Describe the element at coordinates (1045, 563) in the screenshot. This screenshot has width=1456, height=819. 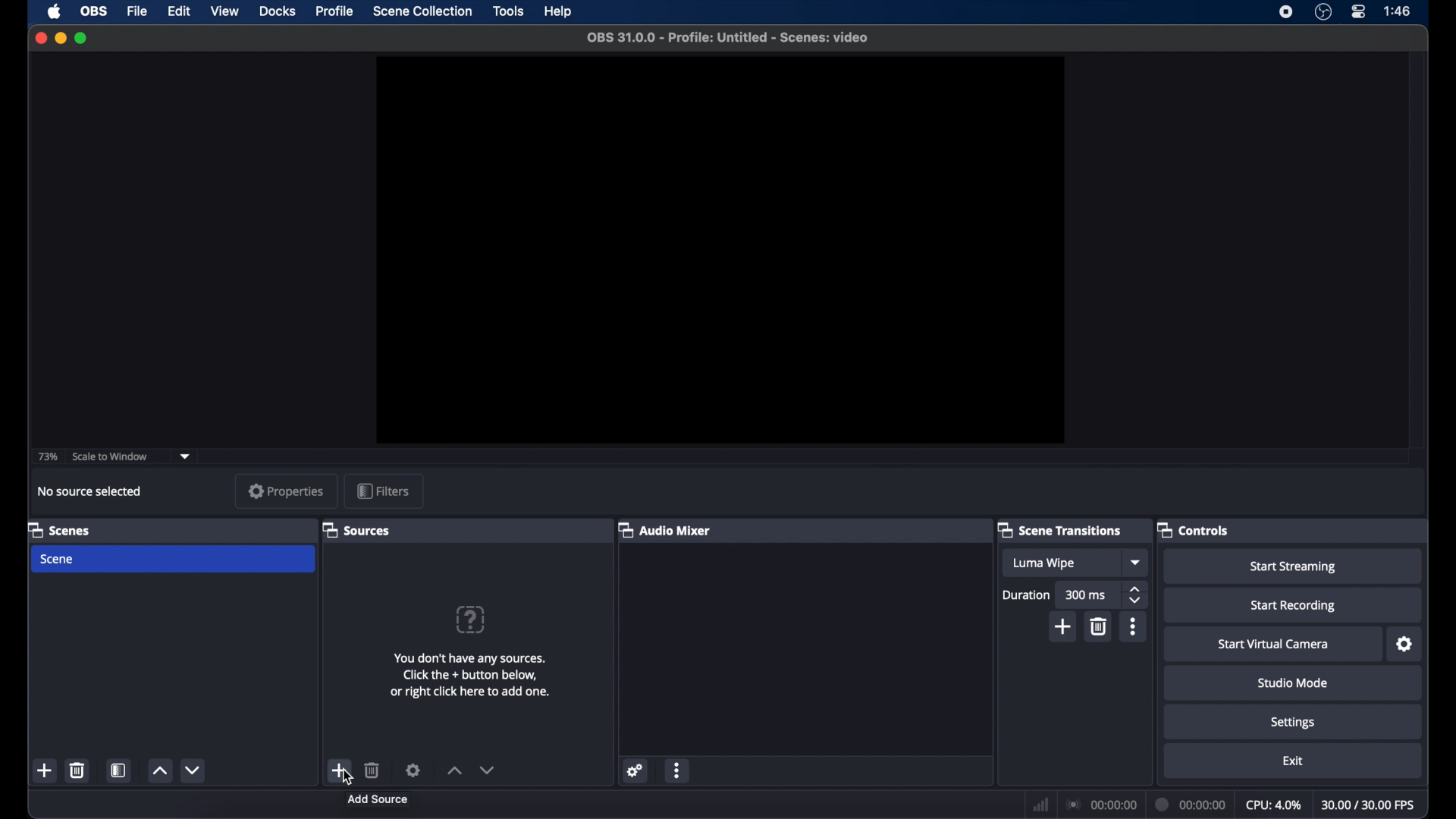
I see `luma wipe` at that location.